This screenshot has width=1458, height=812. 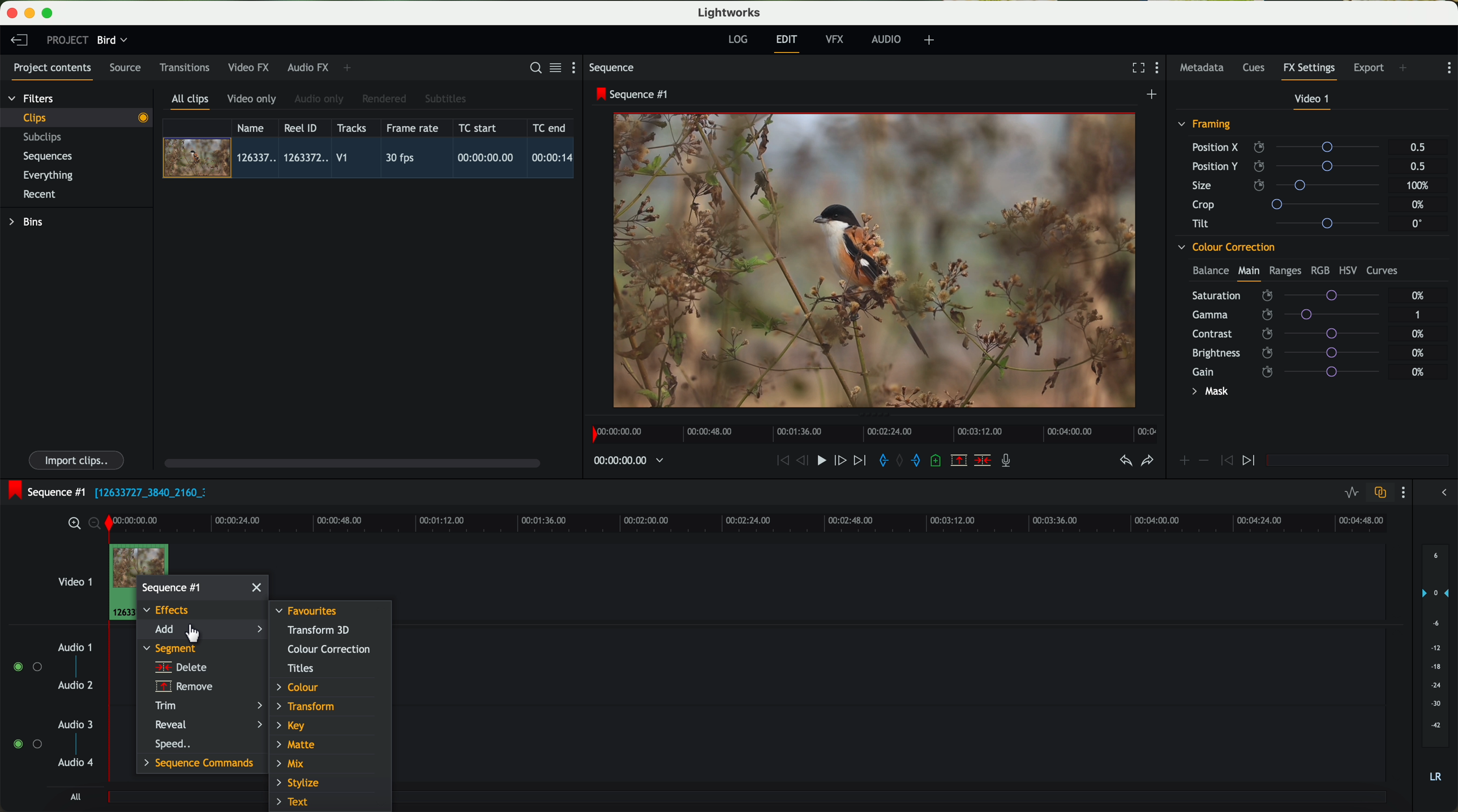 I want to click on nudge one frame foward, so click(x=842, y=461).